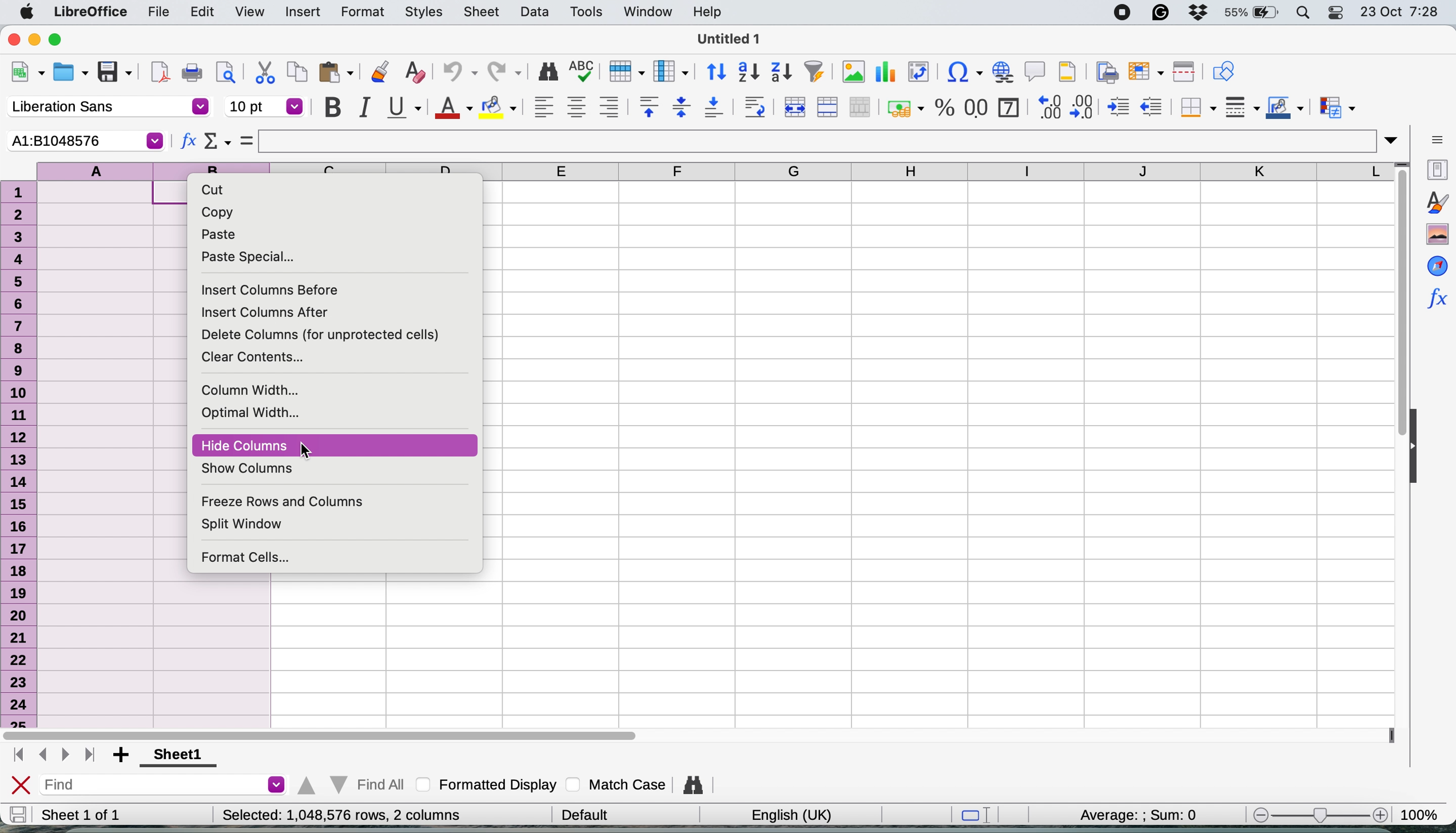 The width and height of the screenshot is (1456, 833). What do you see at coordinates (1223, 71) in the screenshot?
I see `show draw functions` at bounding box center [1223, 71].